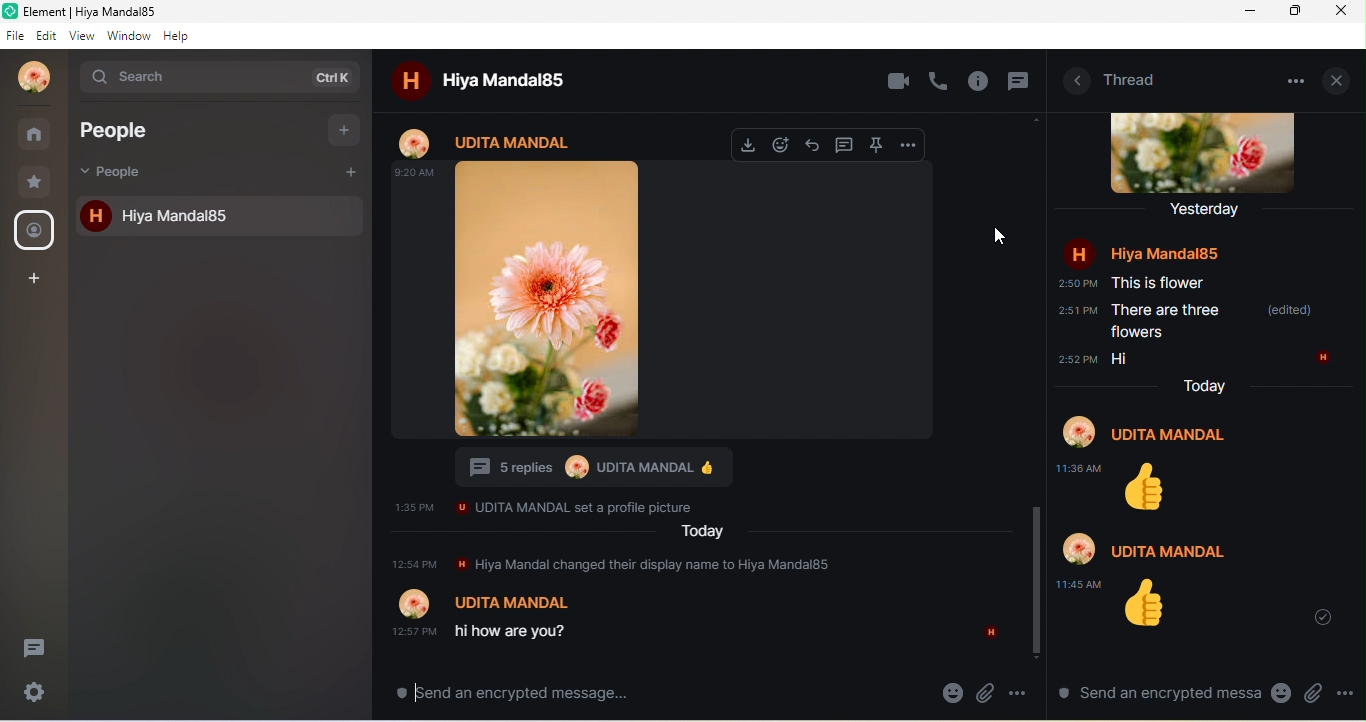 The height and width of the screenshot is (722, 1366). What do you see at coordinates (121, 173) in the screenshot?
I see `people` at bounding box center [121, 173].